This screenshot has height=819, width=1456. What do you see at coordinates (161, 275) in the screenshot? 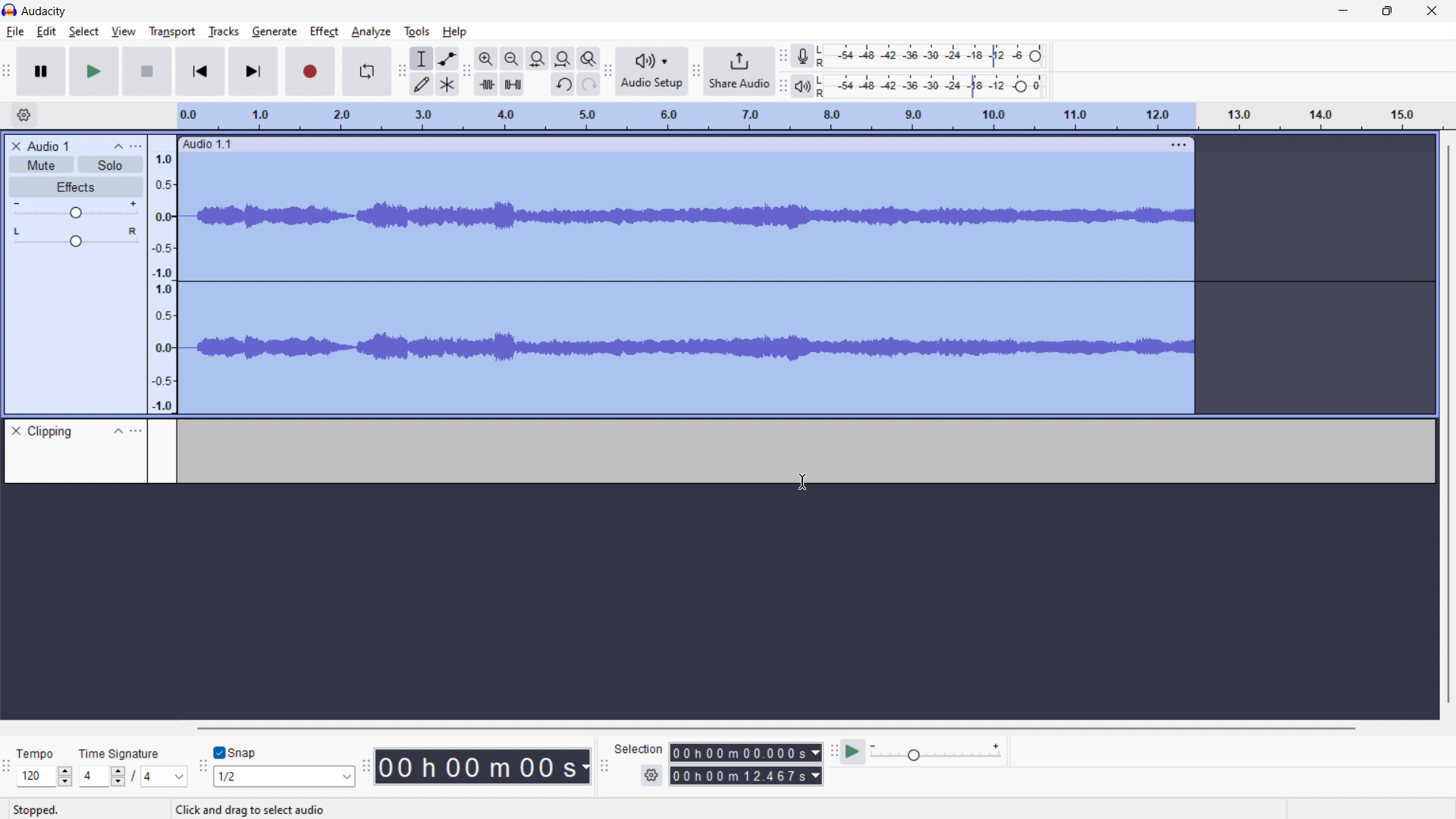
I see `amplitude` at bounding box center [161, 275].